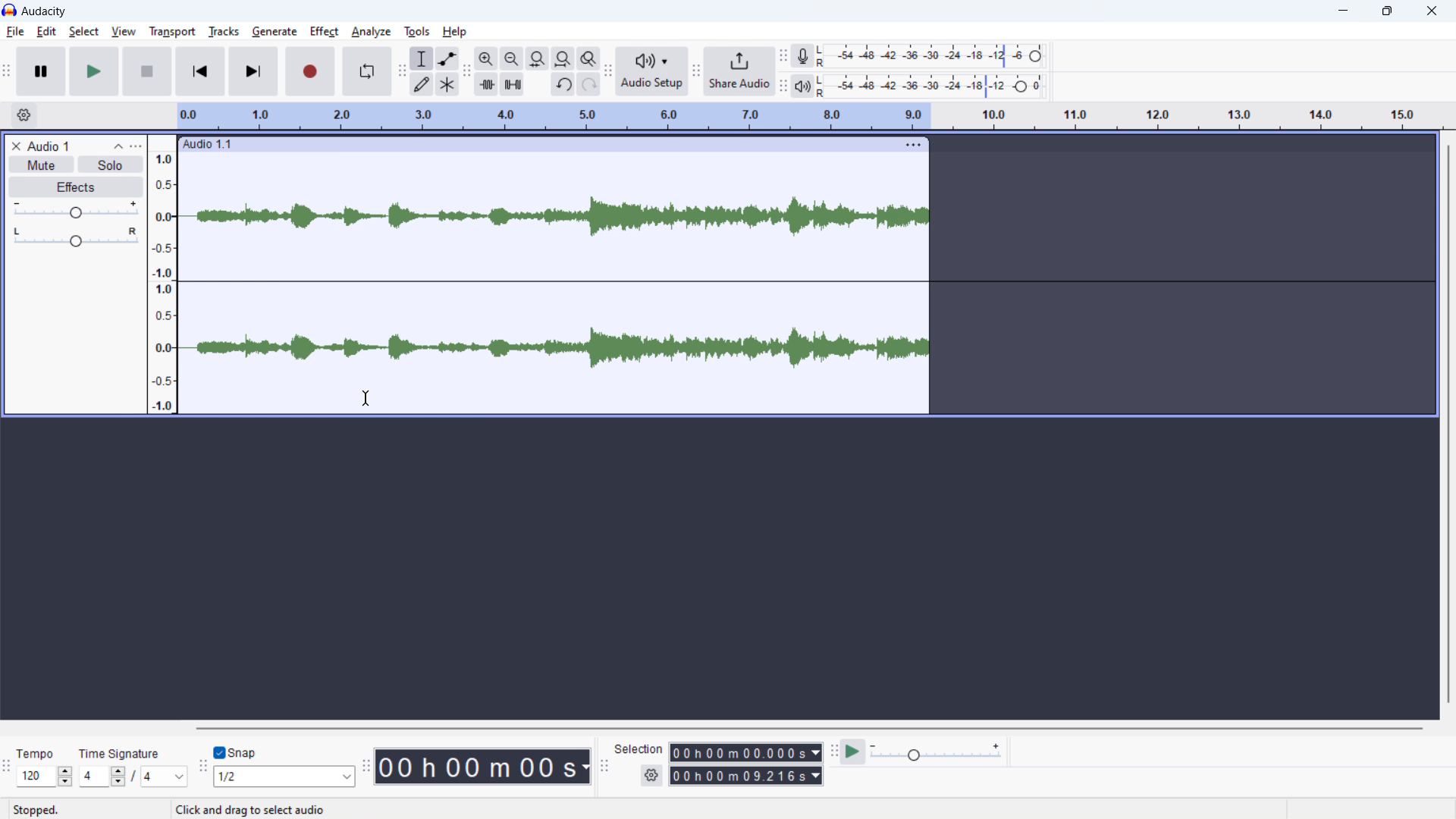  I want to click on zoom in, so click(486, 58).